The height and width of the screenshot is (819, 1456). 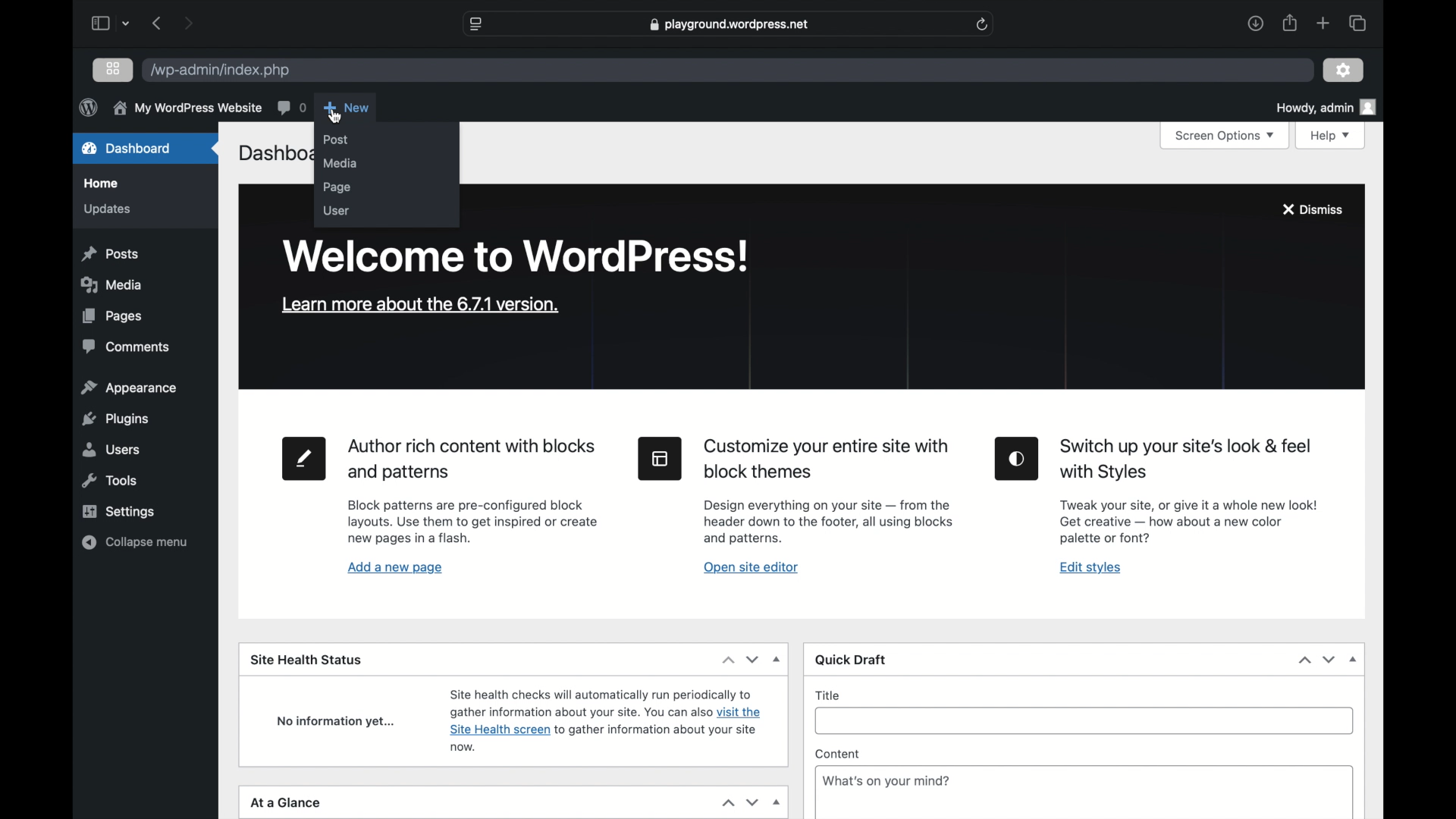 I want to click on edit styles tool information, so click(x=1191, y=521).